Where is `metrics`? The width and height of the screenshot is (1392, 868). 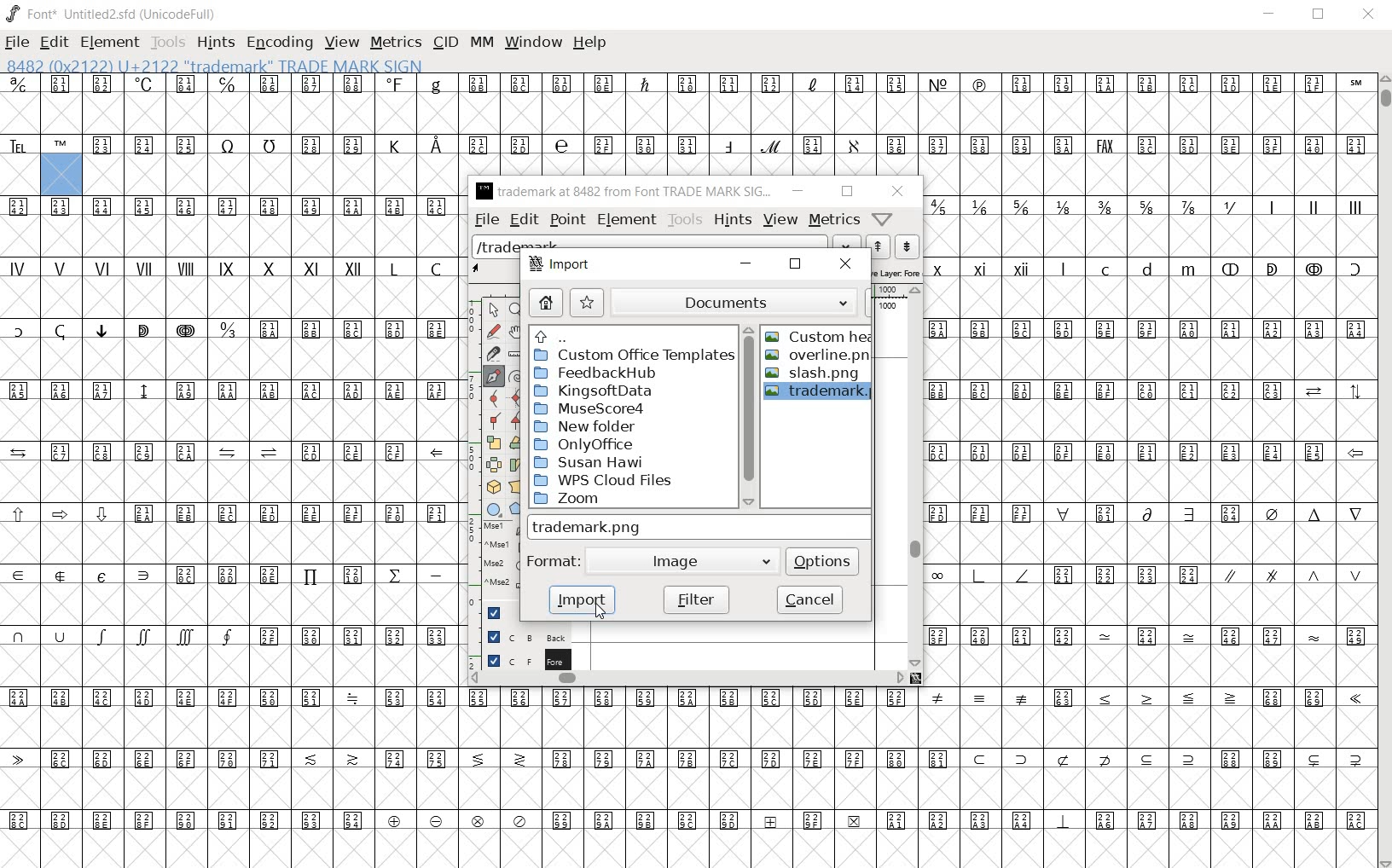 metrics is located at coordinates (836, 220).